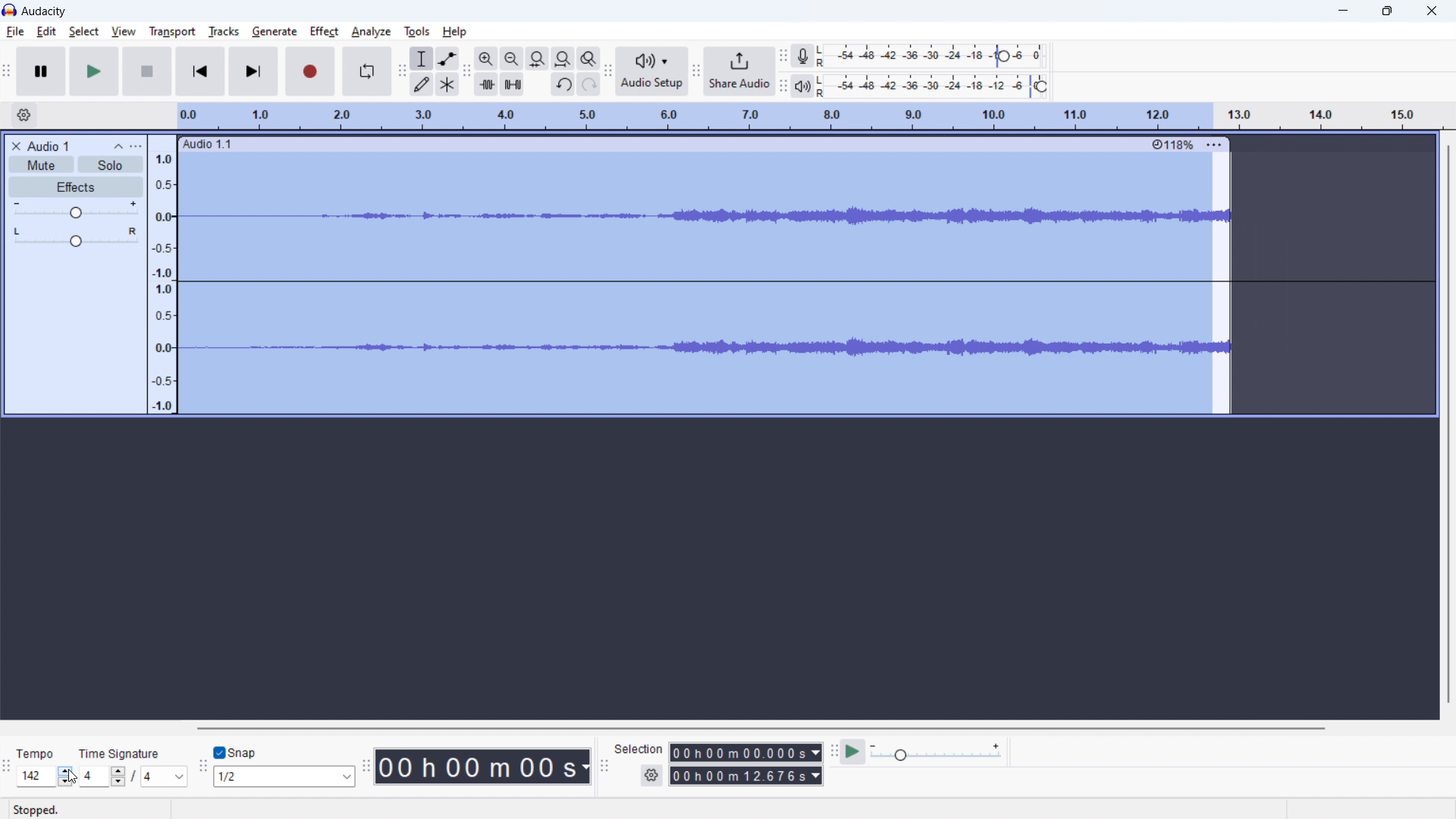 This screenshot has width=1456, height=819. What do you see at coordinates (805, 277) in the screenshot?
I see `Straight wave` at bounding box center [805, 277].